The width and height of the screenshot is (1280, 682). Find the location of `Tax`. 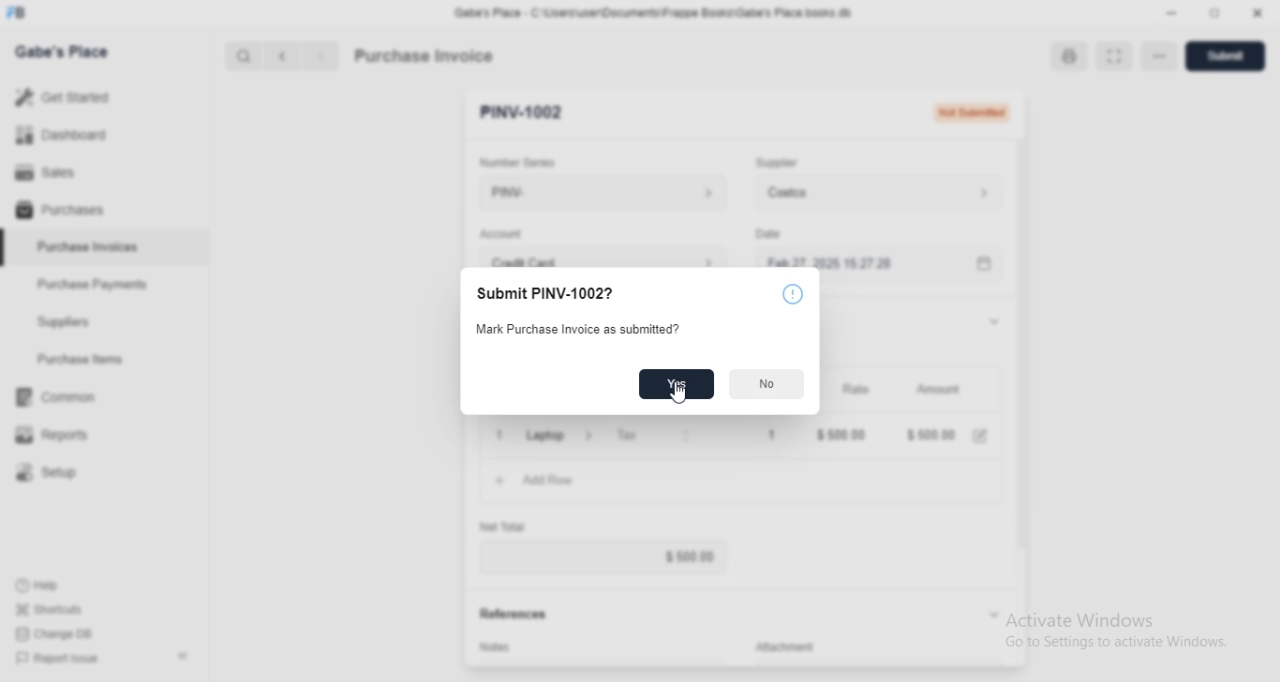

Tax is located at coordinates (651, 435).